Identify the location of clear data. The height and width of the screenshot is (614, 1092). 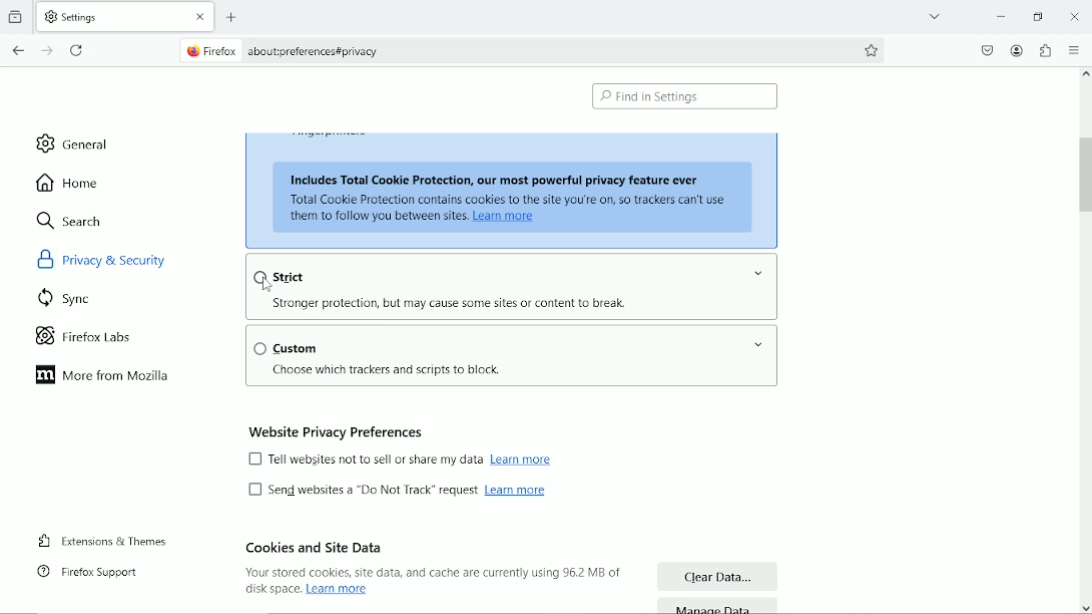
(718, 577).